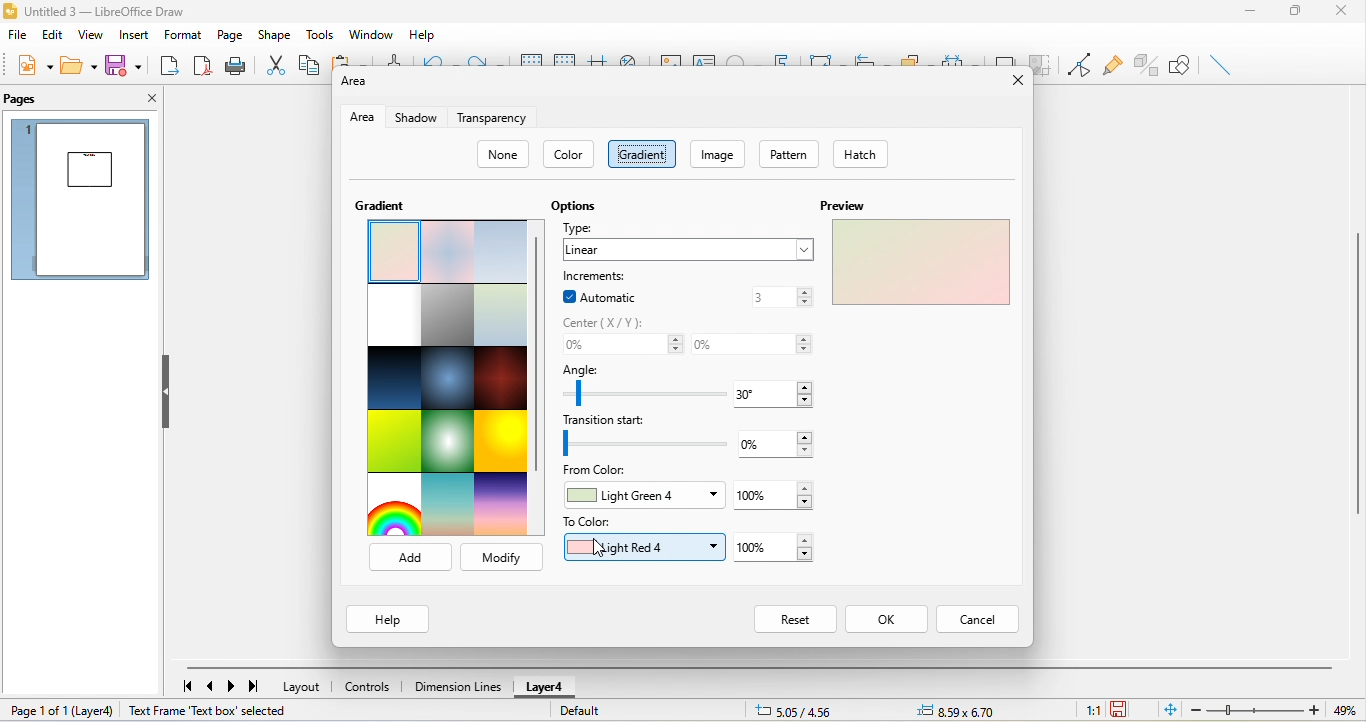 The height and width of the screenshot is (722, 1366). What do you see at coordinates (686, 250) in the screenshot?
I see `linear` at bounding box center [686, 250].